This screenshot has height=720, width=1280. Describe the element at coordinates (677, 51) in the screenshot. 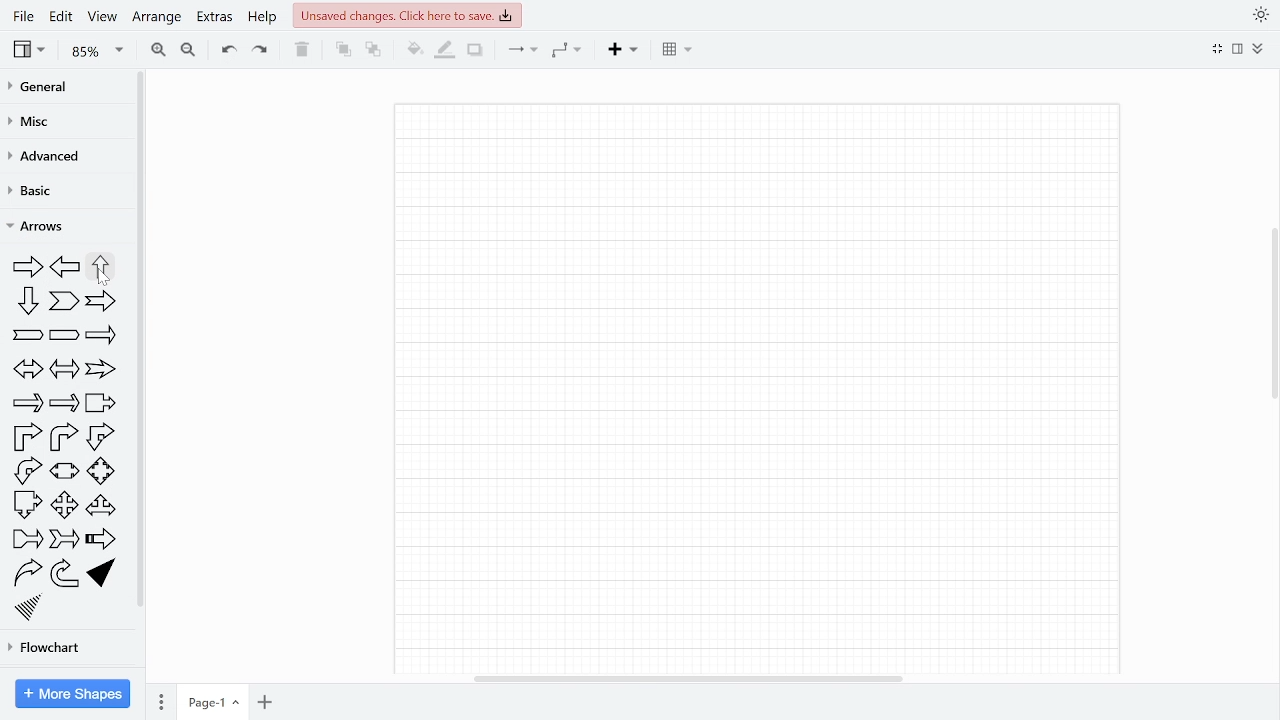

I see `Table` at that location.